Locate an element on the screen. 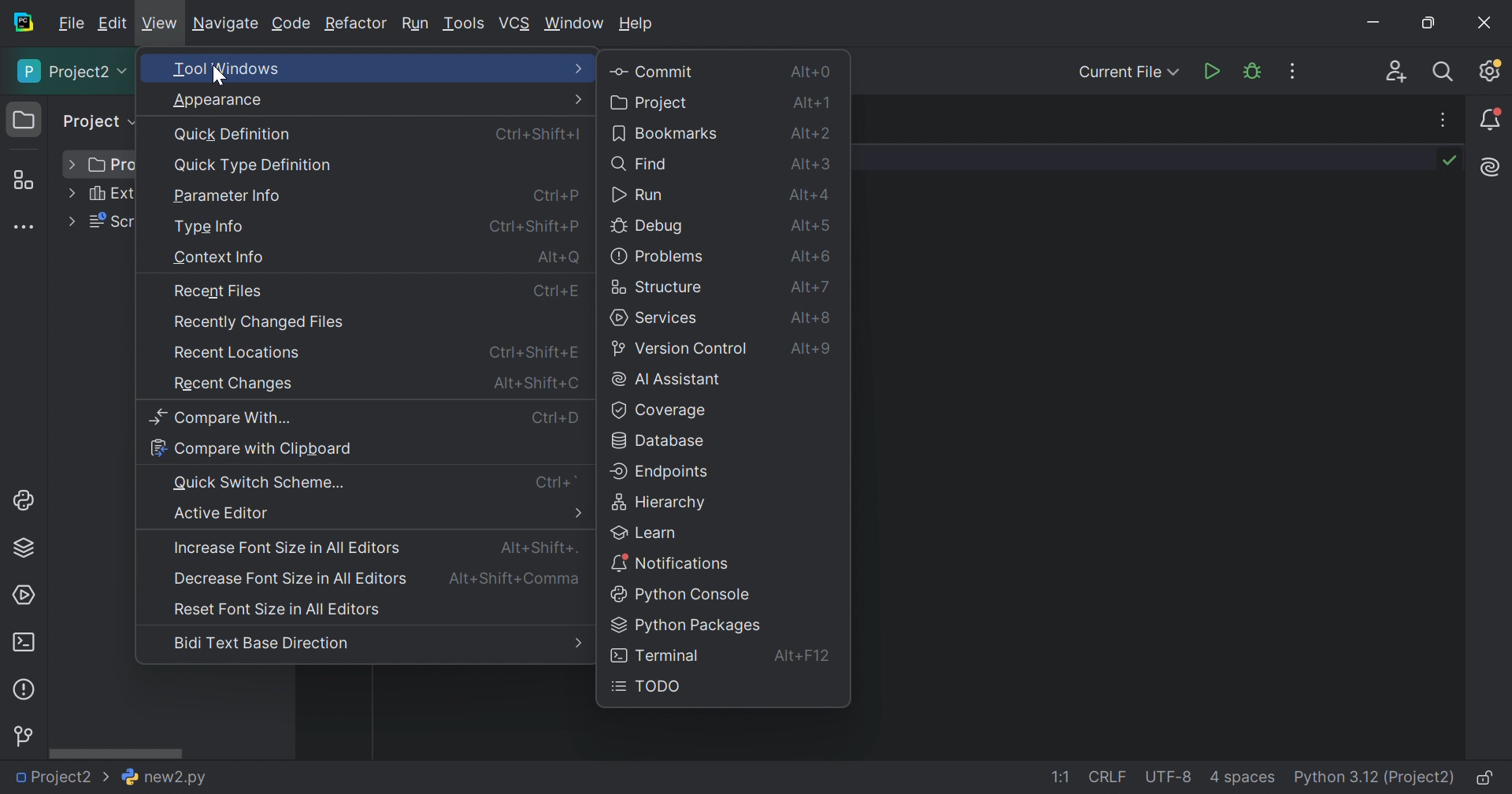  Ctrl+P is located at coordinates (554, 195).